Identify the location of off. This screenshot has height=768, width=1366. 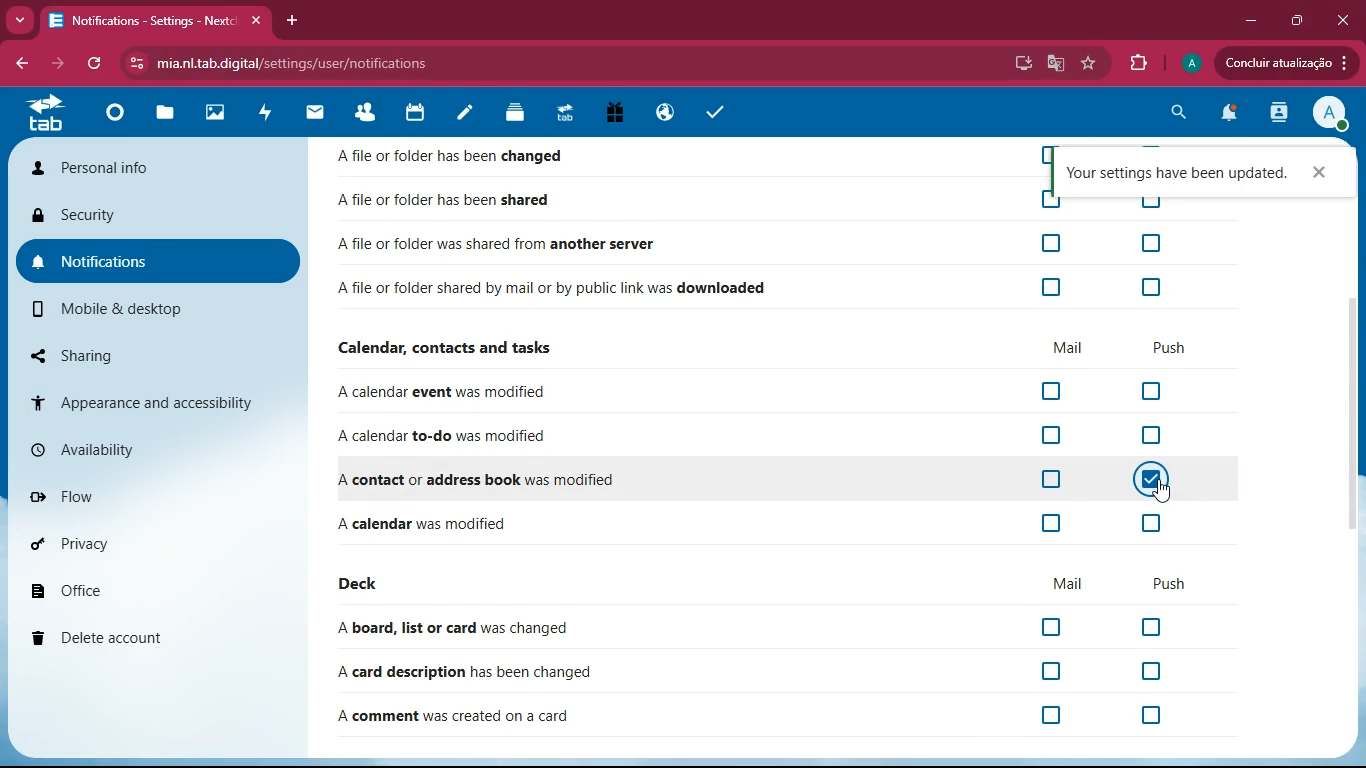
(1048, 522).